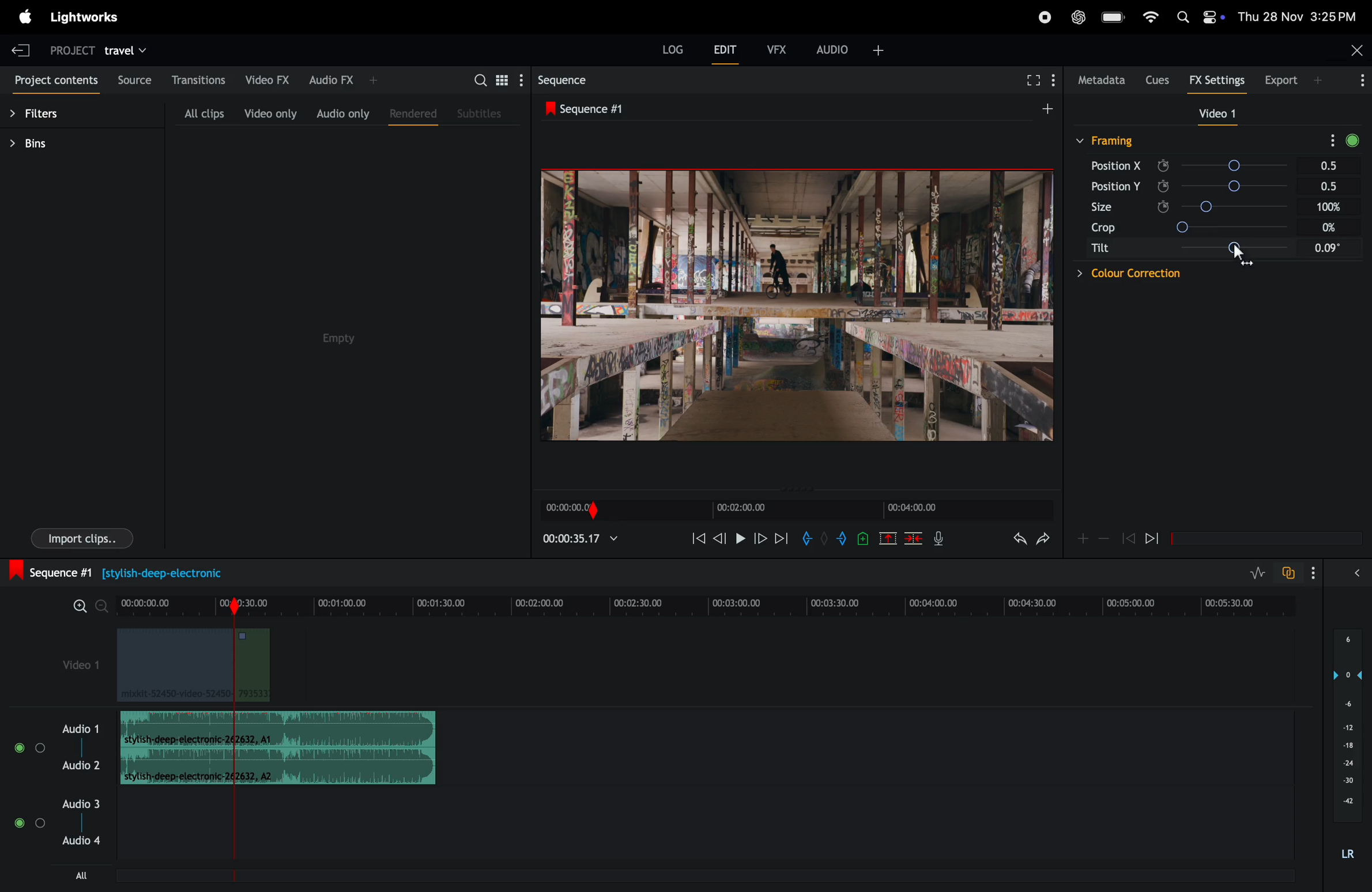 The height and width of the screenshot is (892, 1372). Describe the element at coordinates (793, 511) in the screenshot. I see `time frames` at that location.